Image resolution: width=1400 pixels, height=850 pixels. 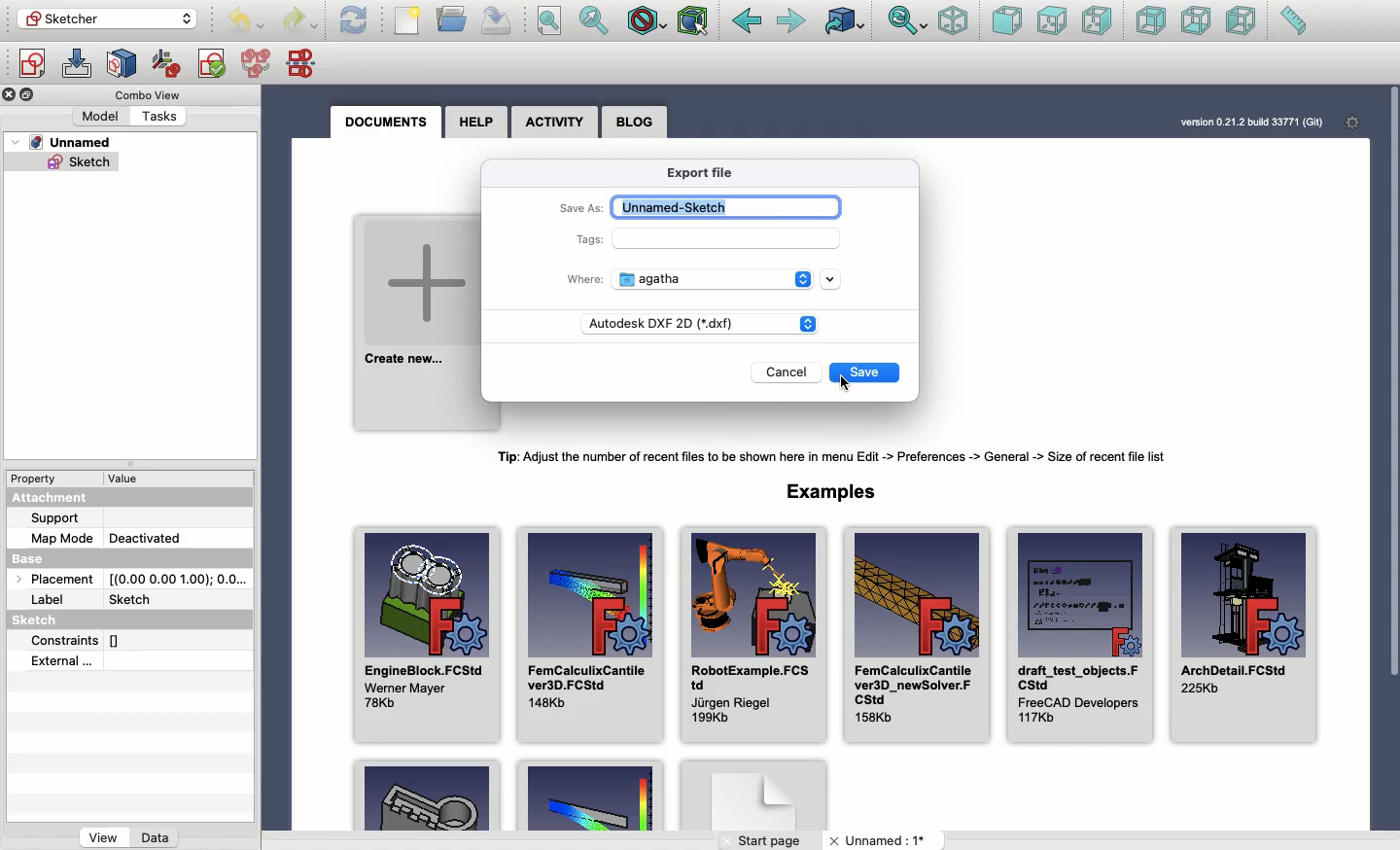 I want to click on Create new, so click(x=416, y=322).